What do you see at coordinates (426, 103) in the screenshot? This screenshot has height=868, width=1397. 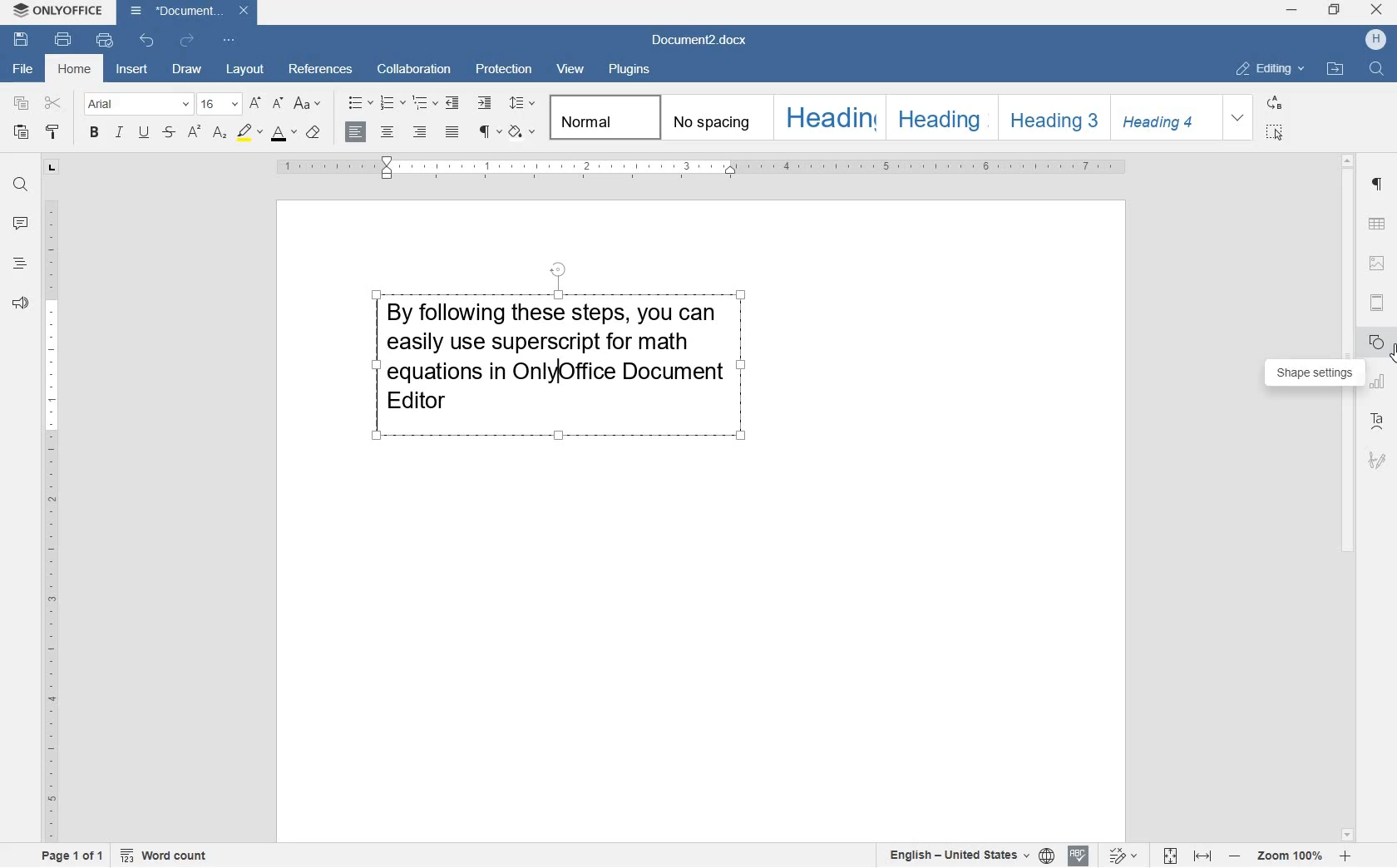 I see `multilevel list` at bounding box center [426, 103].